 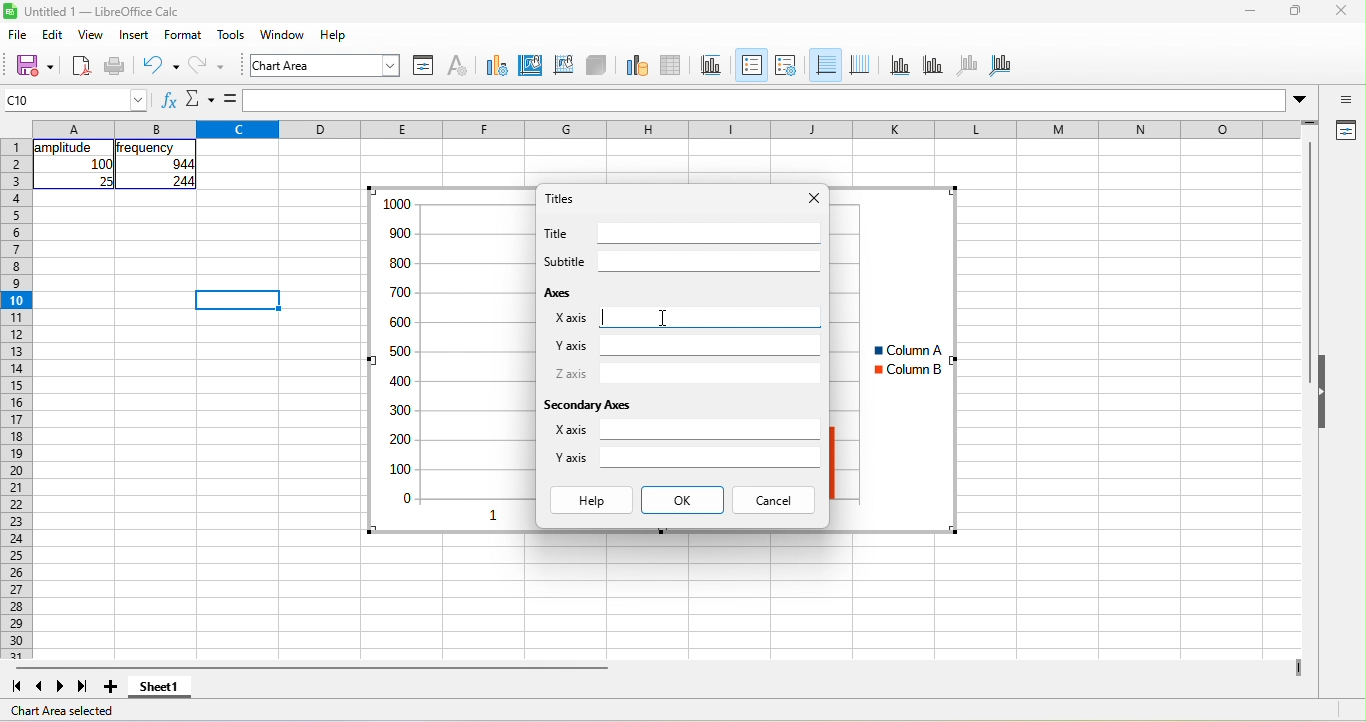 What do you see at coordinates (710, 429) in the screenshot?
I see `Input for secondary x axis` at bounding box center [710, 429].